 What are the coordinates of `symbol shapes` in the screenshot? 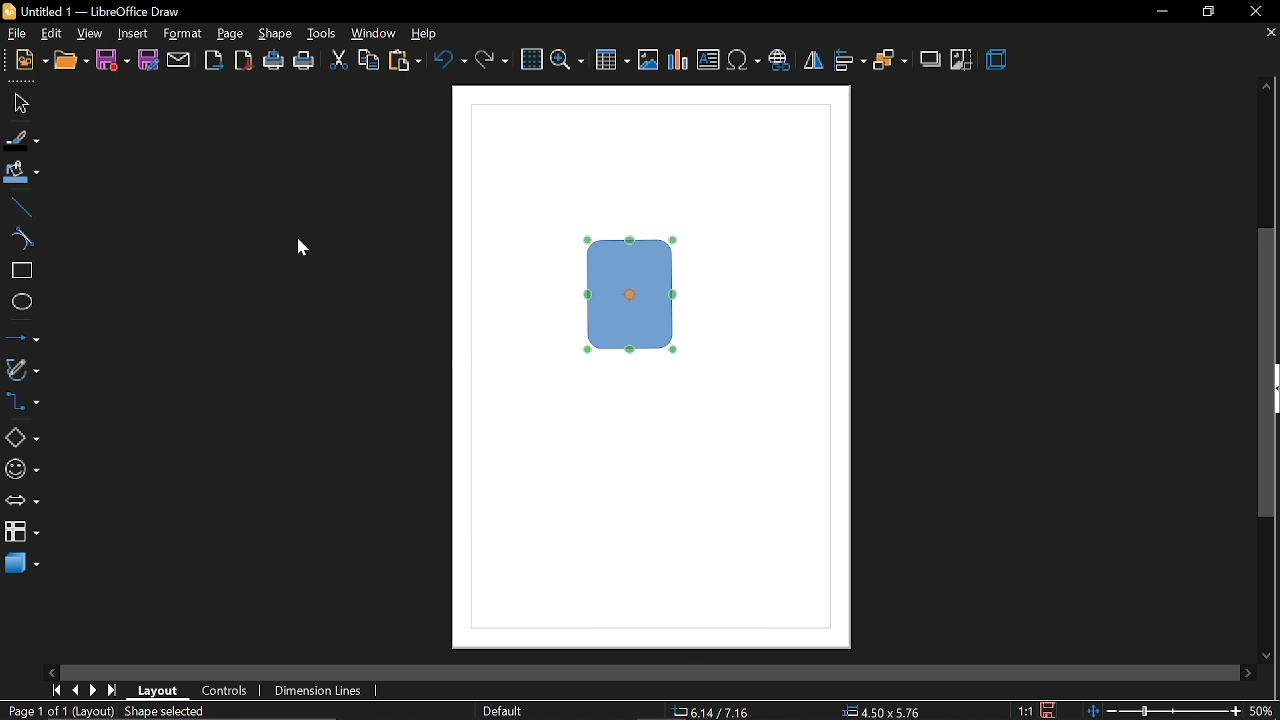 It's located at (21, 469).